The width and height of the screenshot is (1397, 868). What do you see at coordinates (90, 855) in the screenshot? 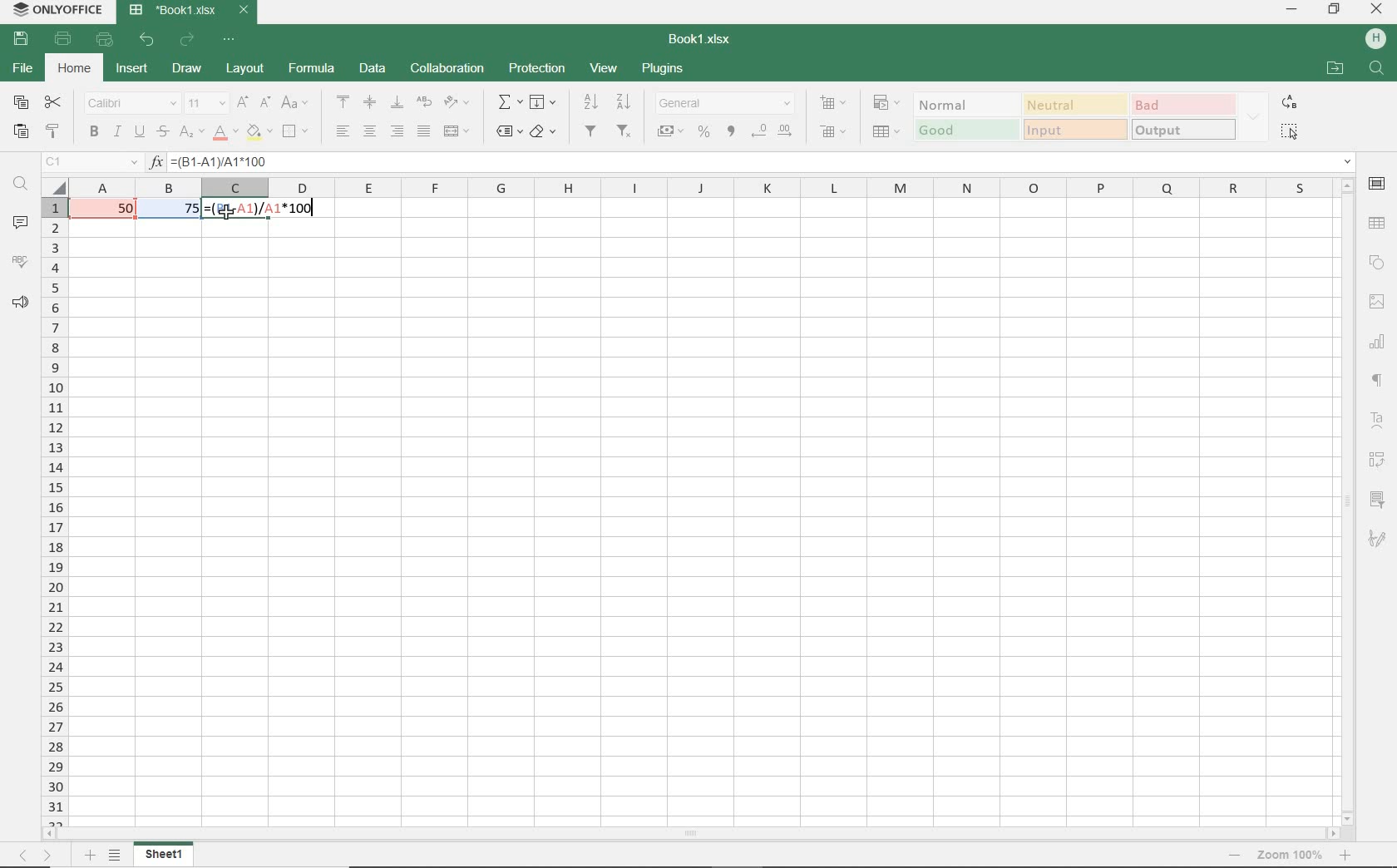
I see `add sheets` at bounding box center [90, 855].